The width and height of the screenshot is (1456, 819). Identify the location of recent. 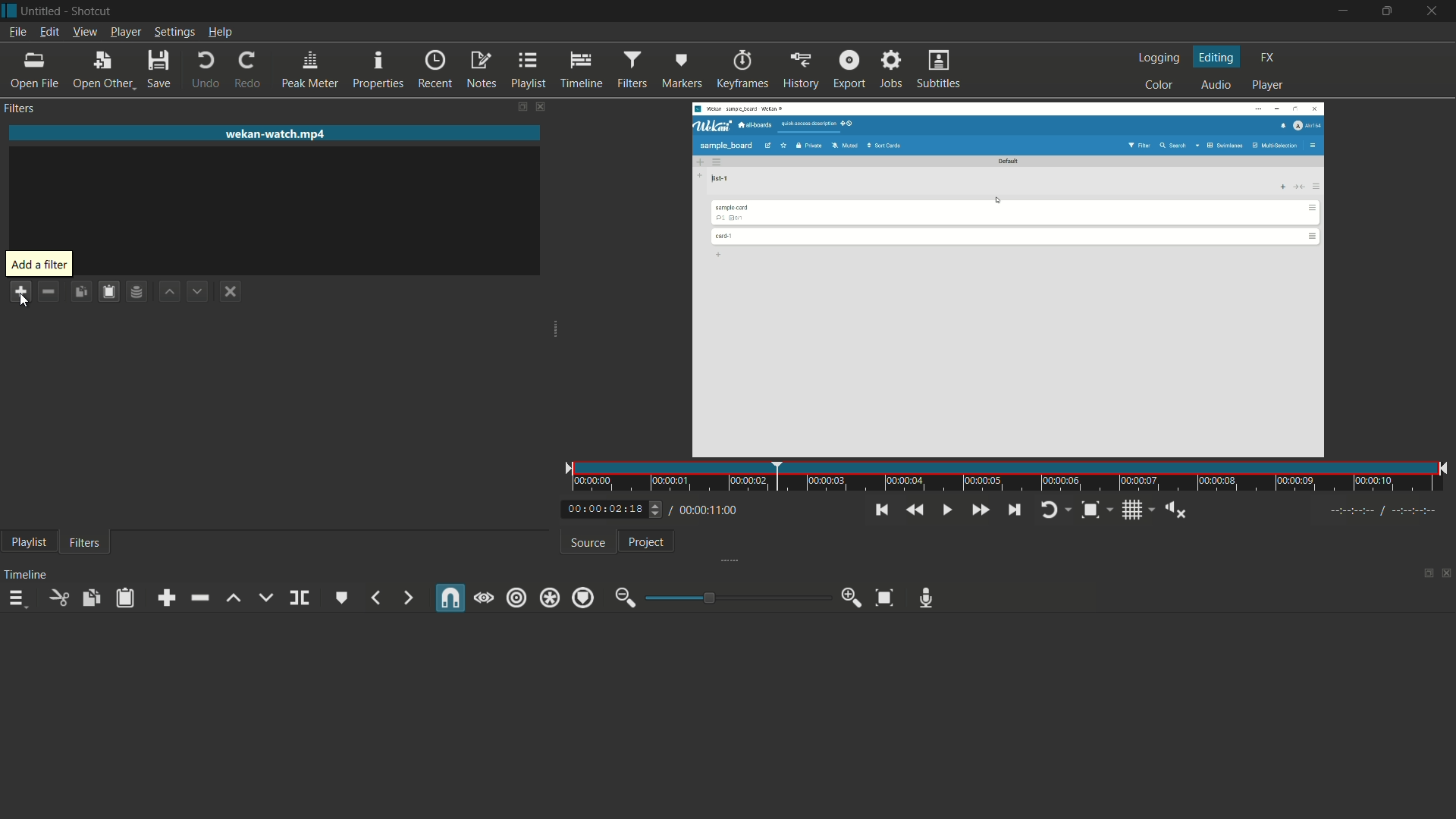
(435, 71).